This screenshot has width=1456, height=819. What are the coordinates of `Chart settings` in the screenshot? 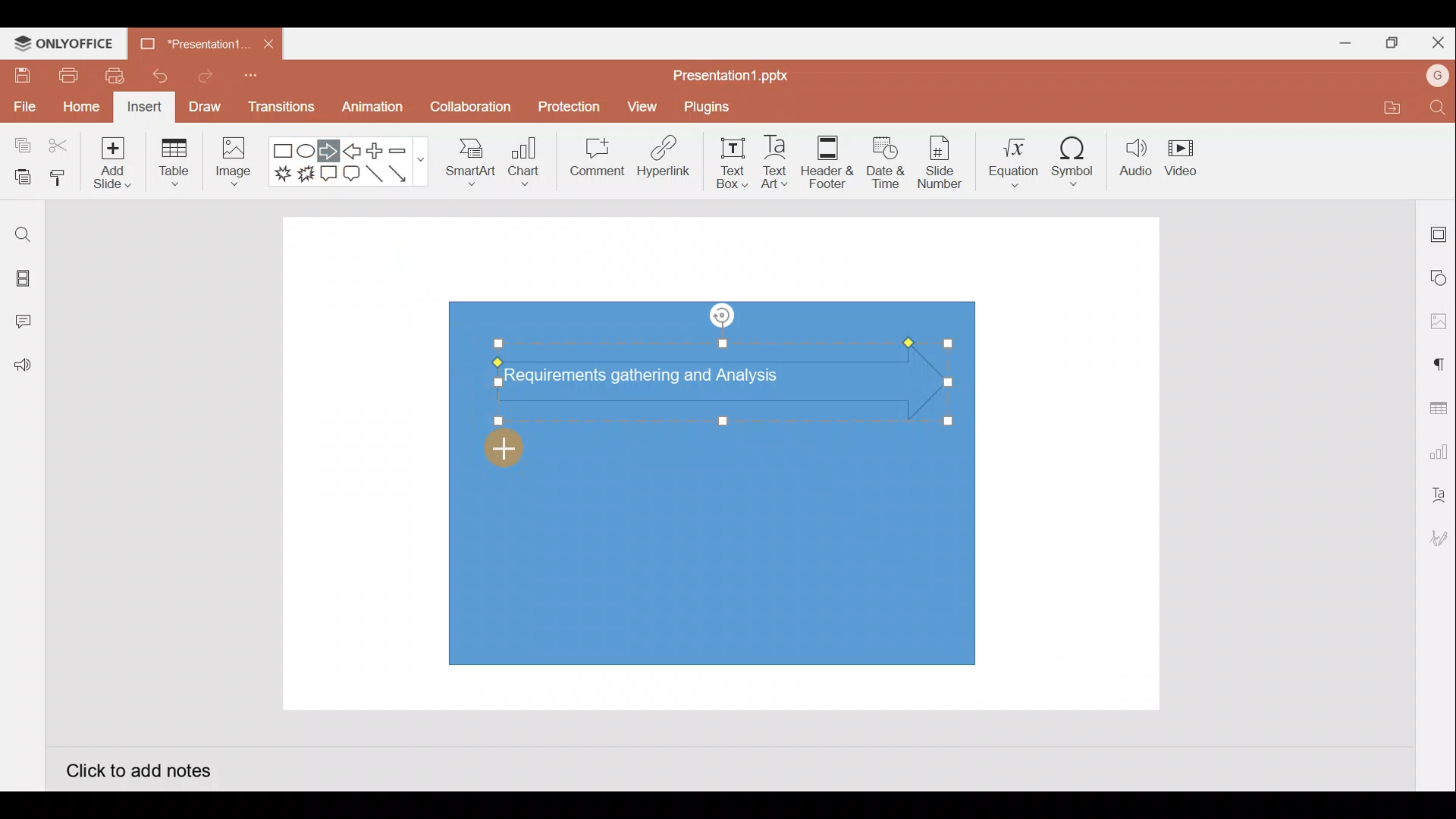 It's located at (1436, 449).